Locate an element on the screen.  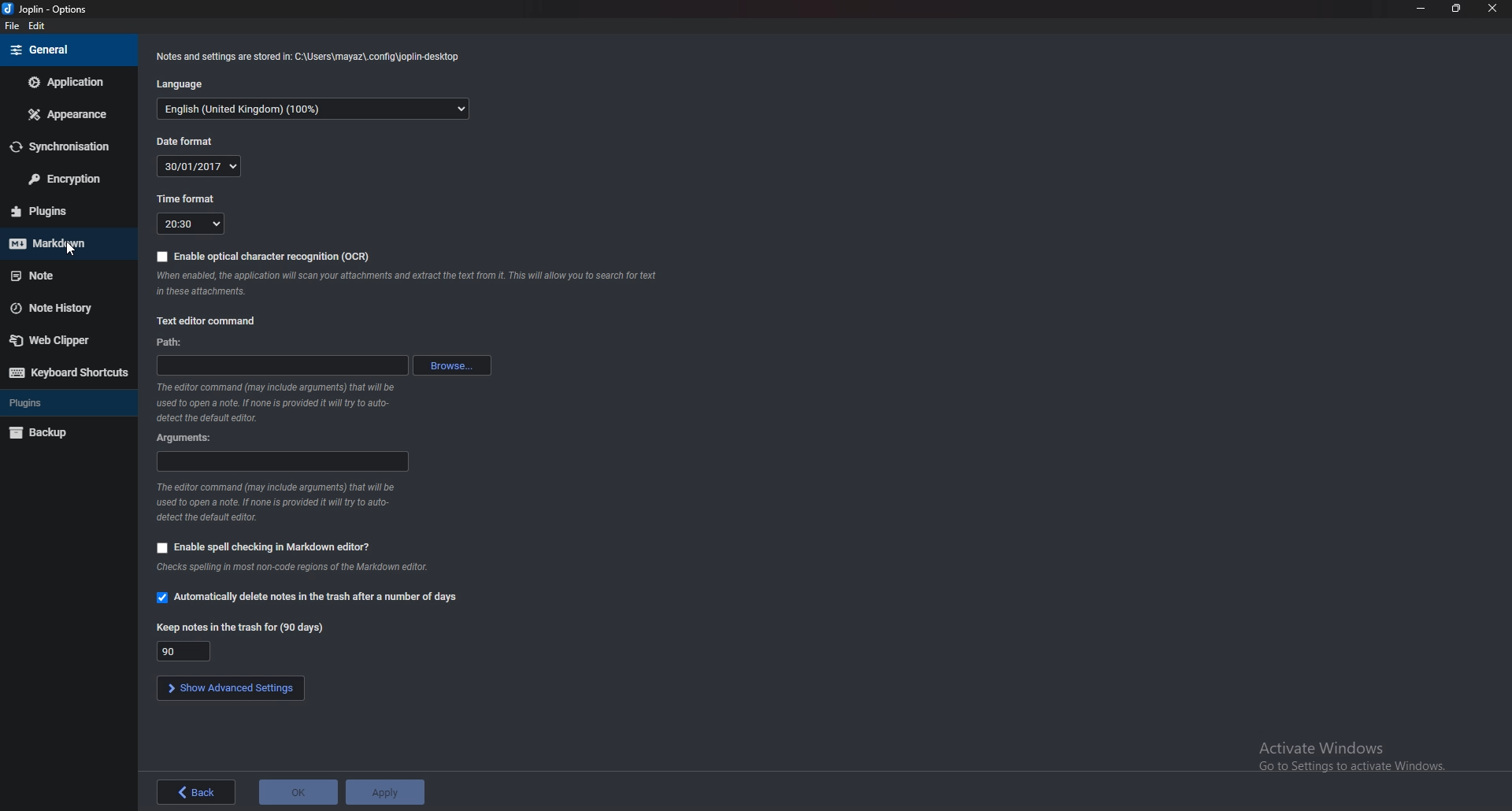
info is located at coordinates (299, 569).